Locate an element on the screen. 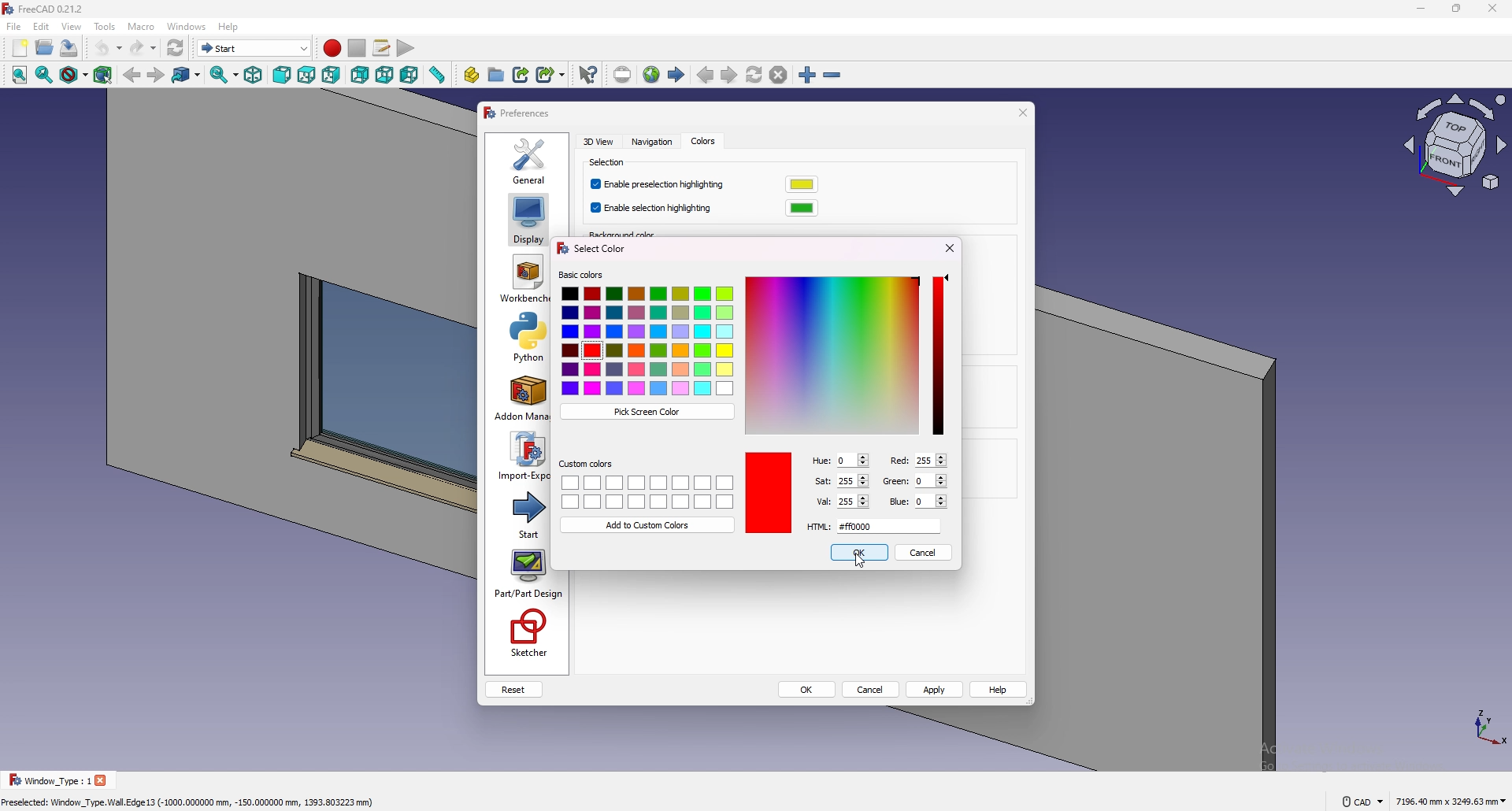 Image resolution: width=1512 pixels, height=811 pixels. view is located at coordinates (72, 26).